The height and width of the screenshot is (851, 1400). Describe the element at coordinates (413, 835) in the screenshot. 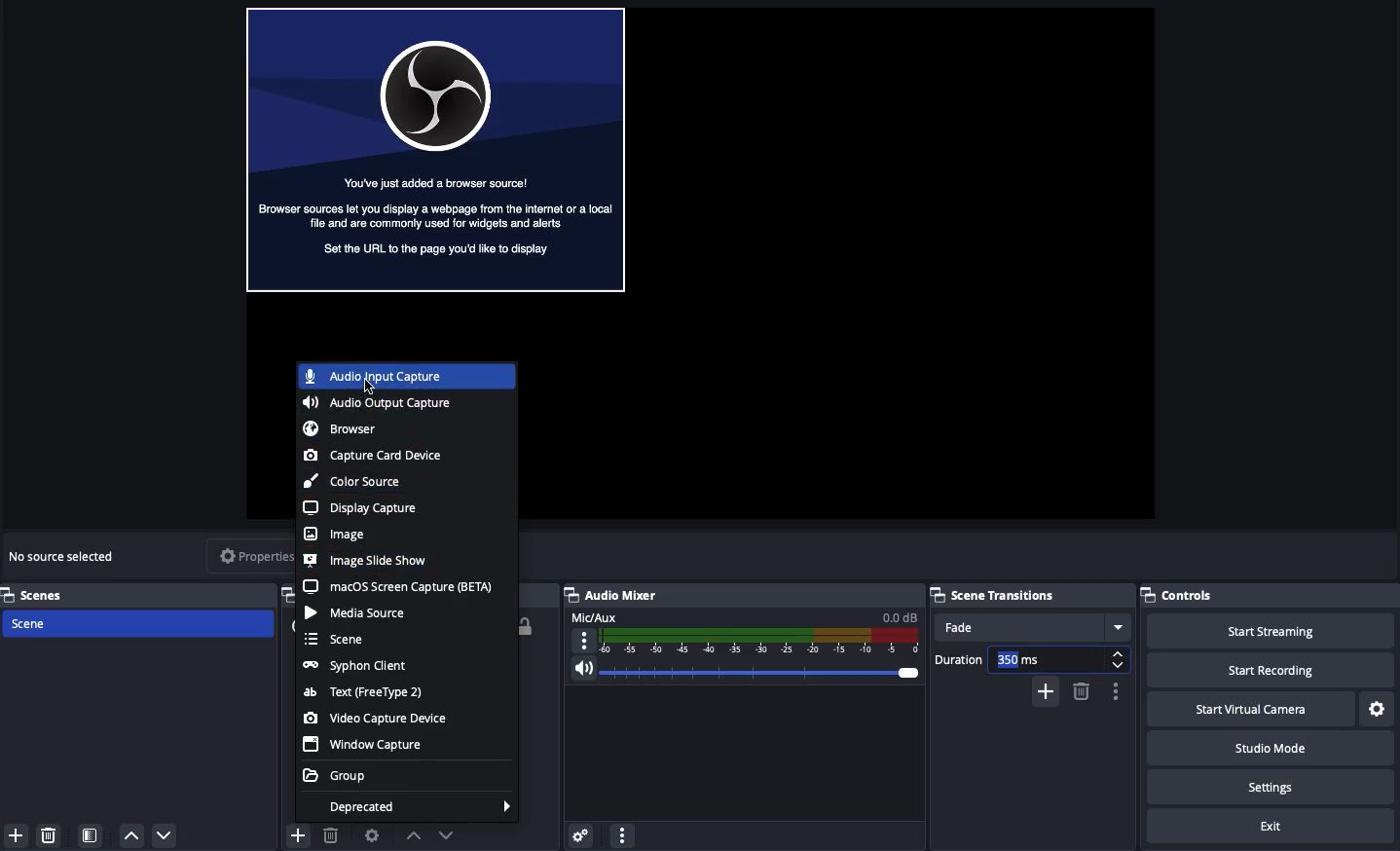

I see `Move up` at that location.